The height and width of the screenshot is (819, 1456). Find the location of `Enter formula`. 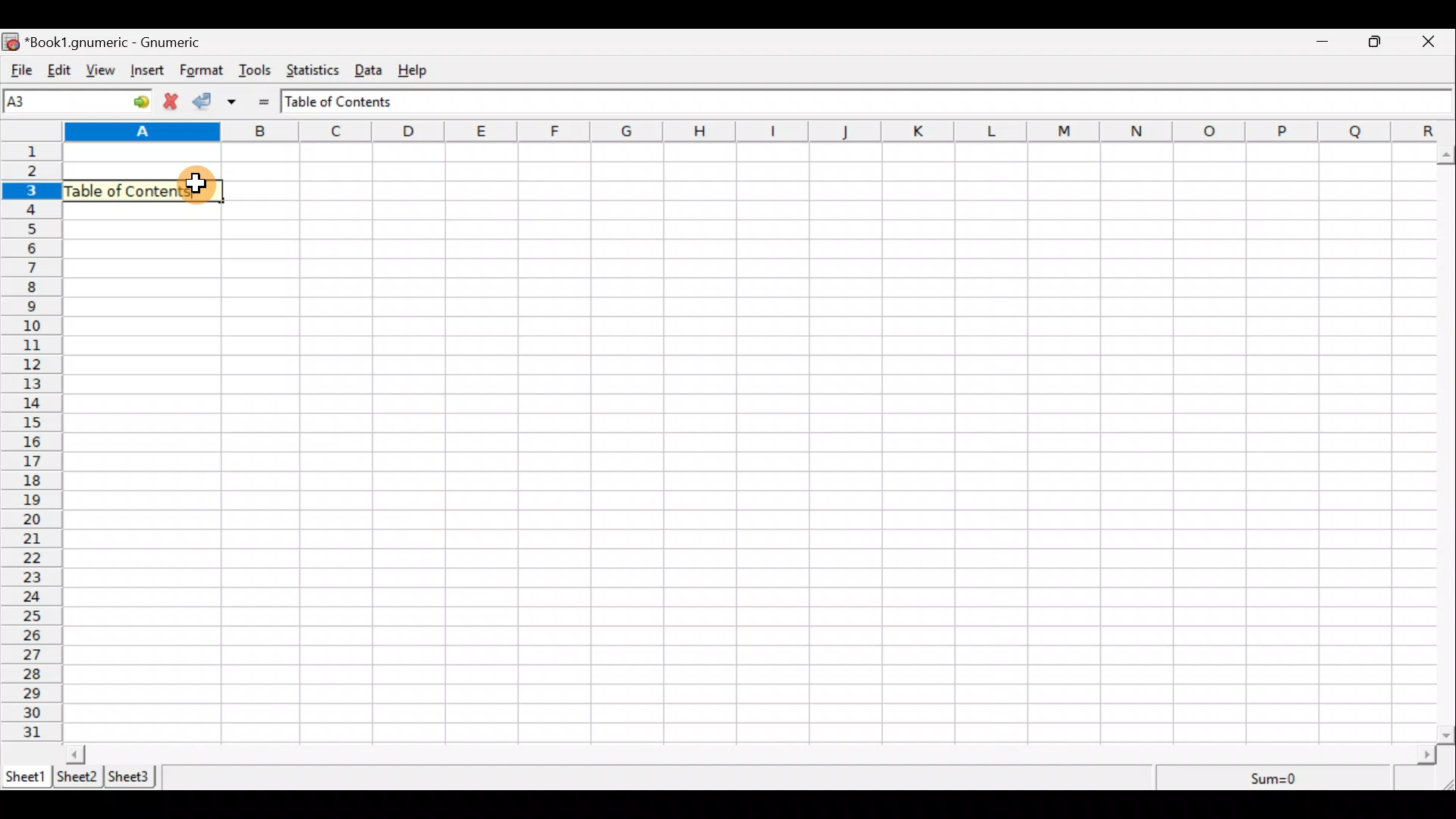

Enter formula is located at coordinates (265, 102).